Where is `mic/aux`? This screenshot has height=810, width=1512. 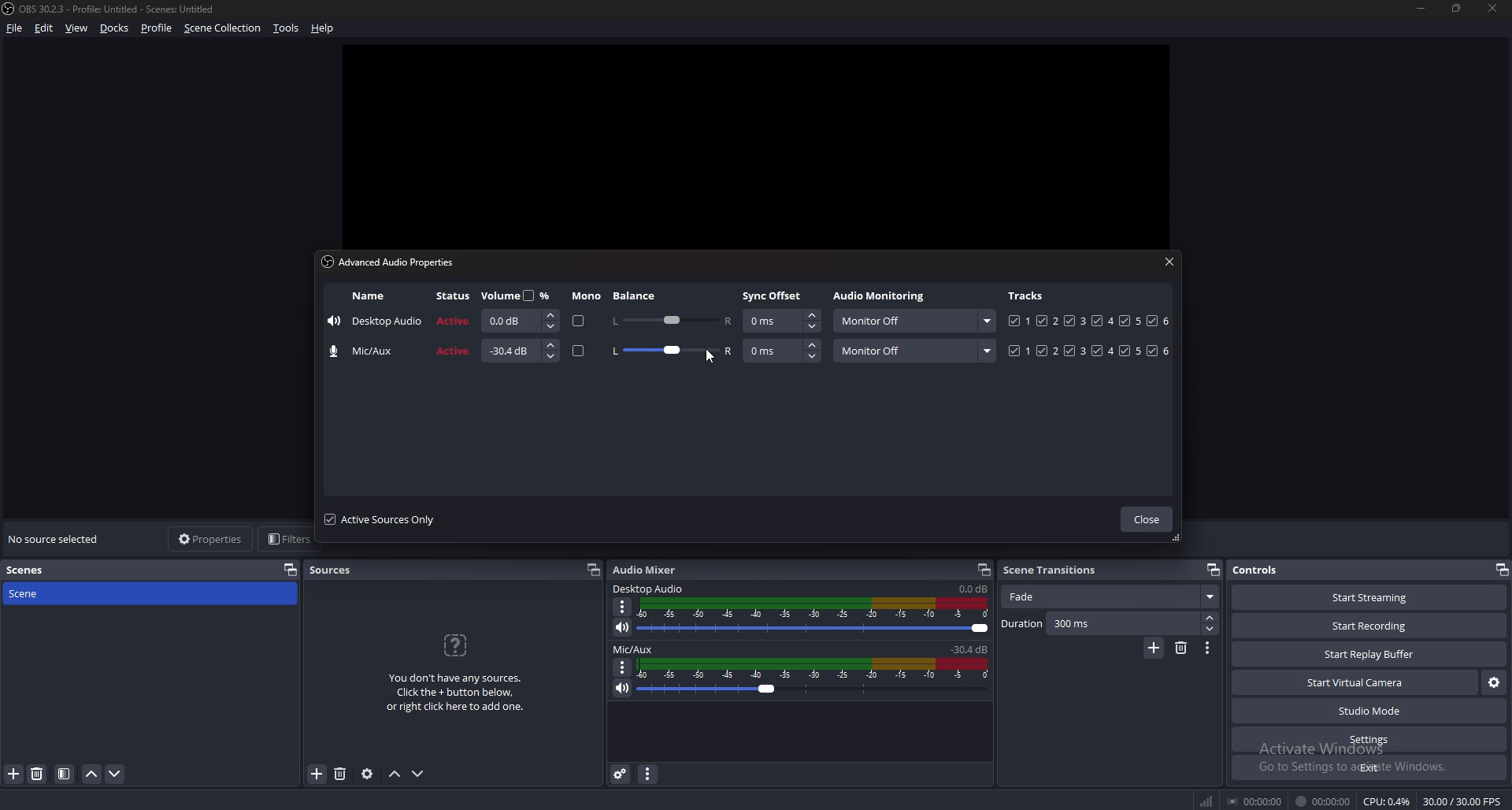
mic/aux is located at coordinates (636, 648).